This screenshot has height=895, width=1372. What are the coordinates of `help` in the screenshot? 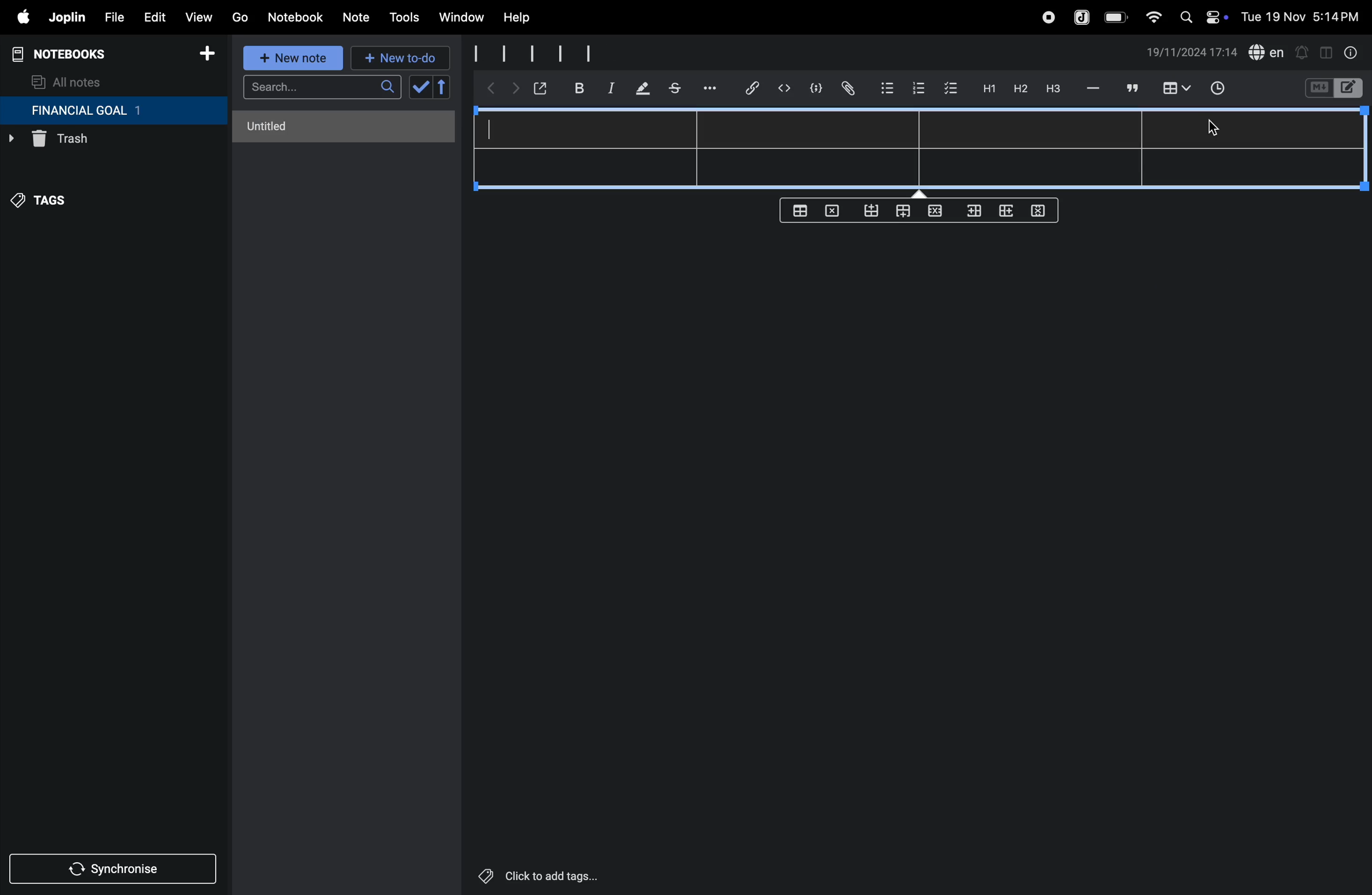 It's located at (525, 18).